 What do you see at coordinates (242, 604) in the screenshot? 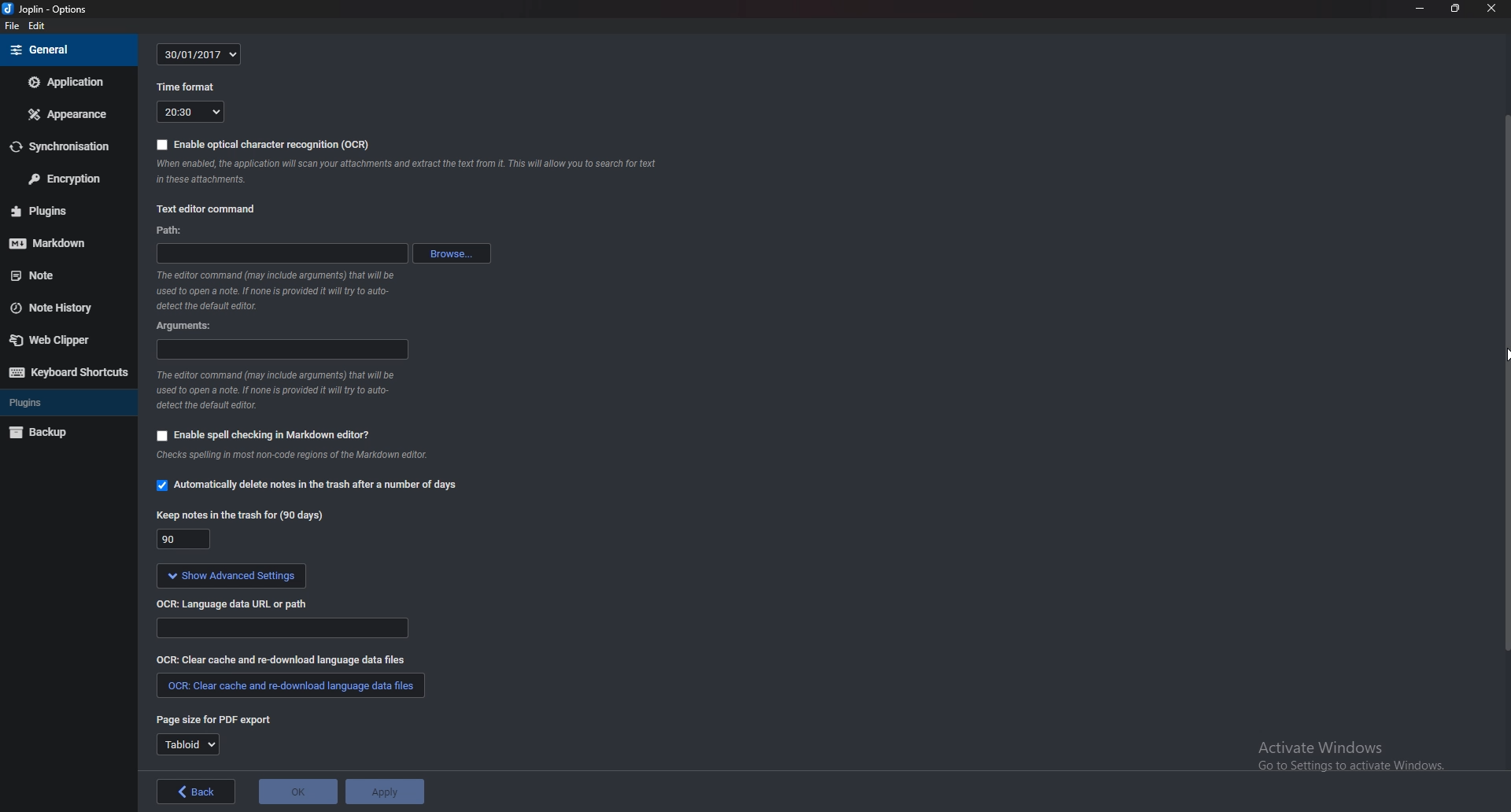
I see `OCR language data url or path` at bounding box center [242, 604].